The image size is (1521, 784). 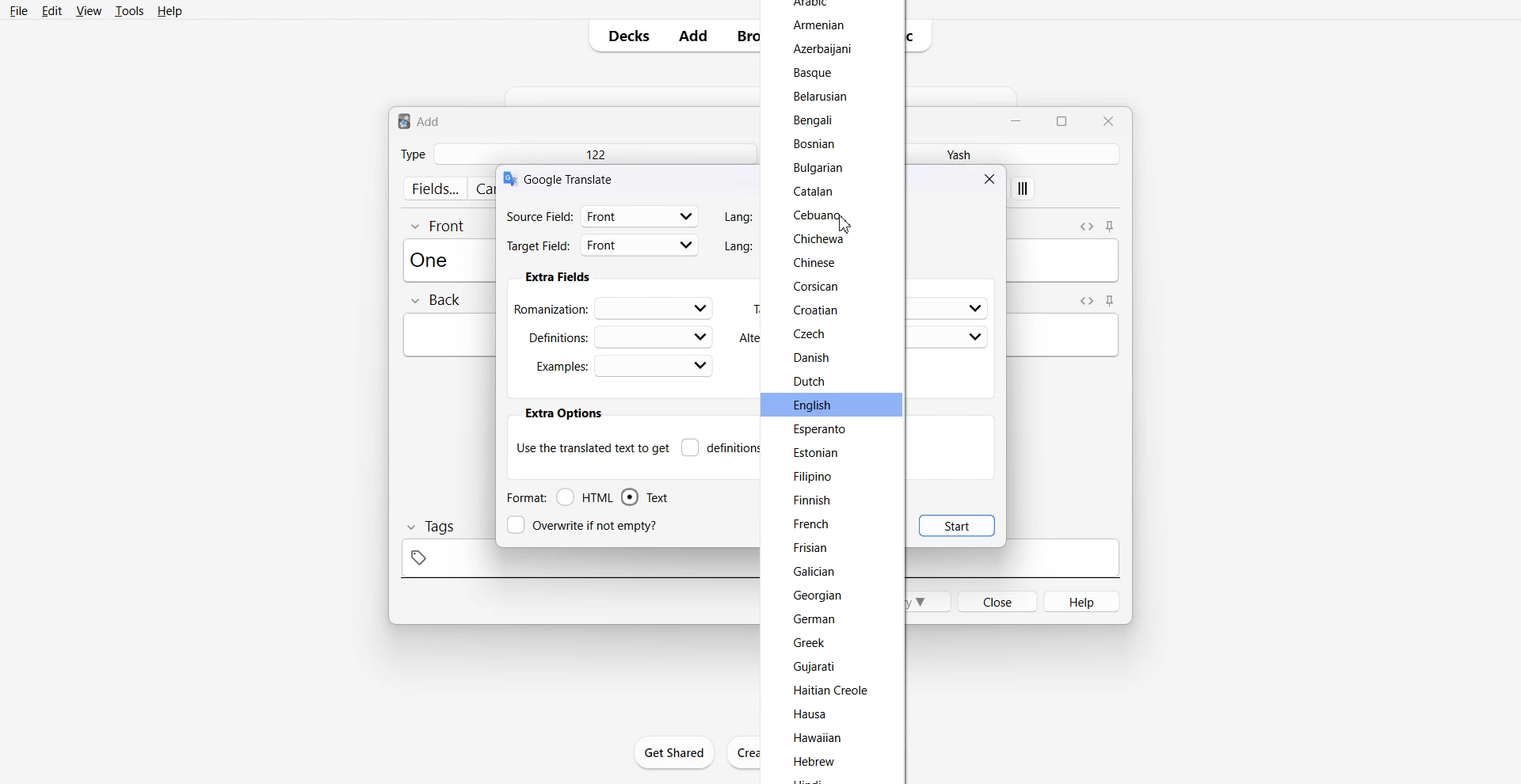 What do you see at coordinates (814, 453) in the screenshot?
I see `Estonian` at bounding box center [814, 453].